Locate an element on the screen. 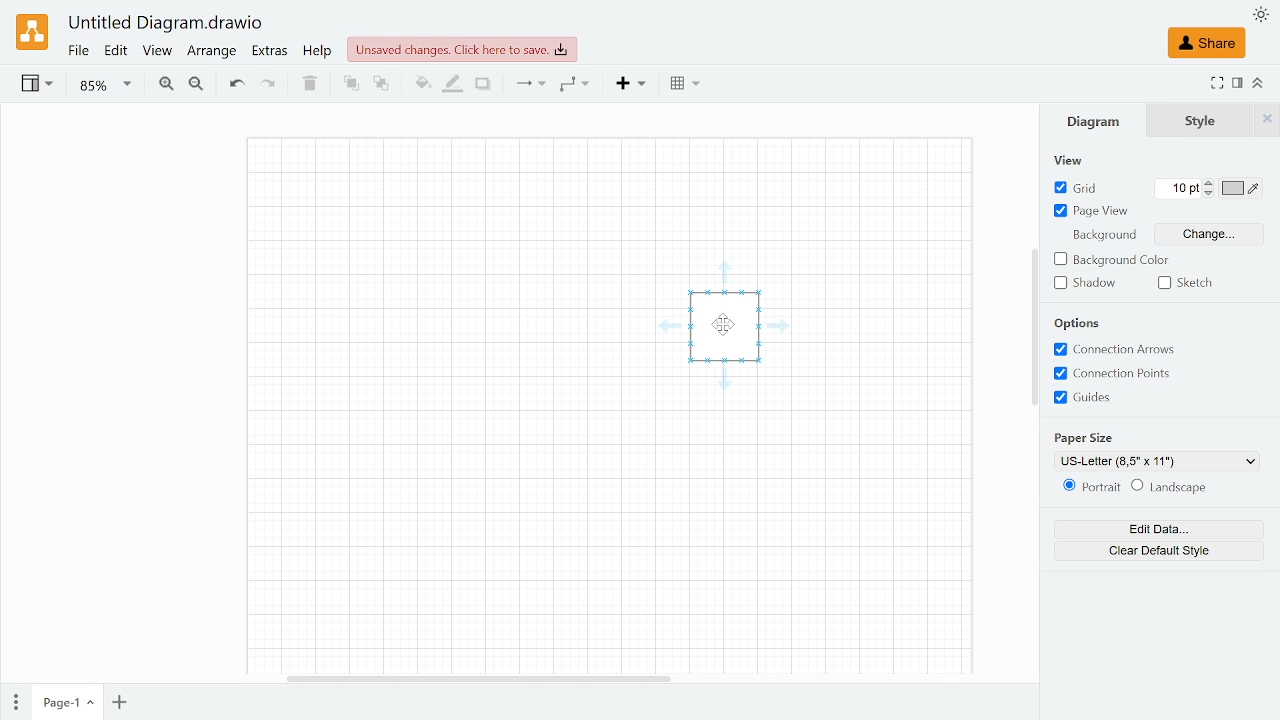  Page view is located at coordinates (1093, 212).